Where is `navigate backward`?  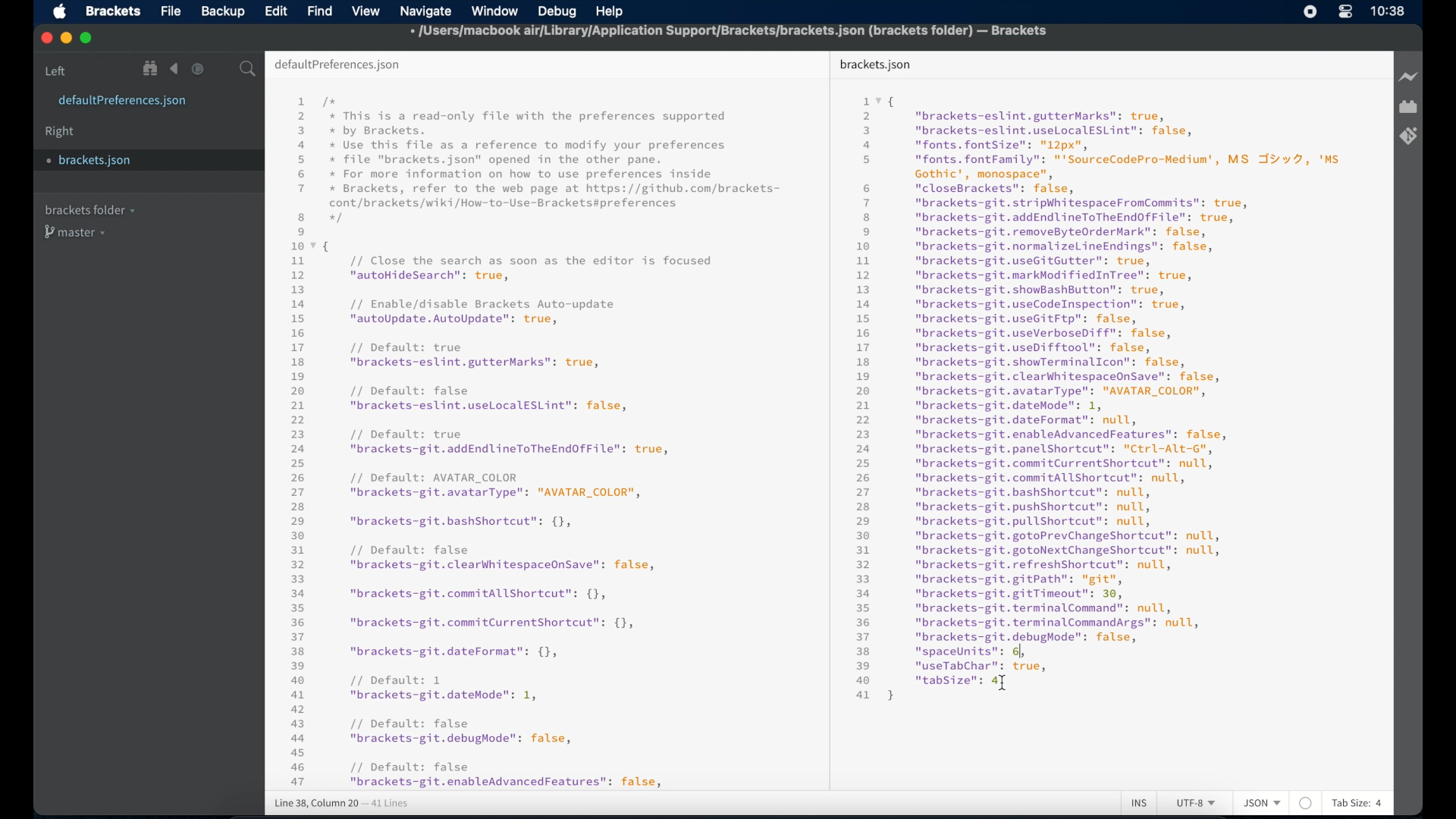
navigate backward is located at coordinates (174, 69).